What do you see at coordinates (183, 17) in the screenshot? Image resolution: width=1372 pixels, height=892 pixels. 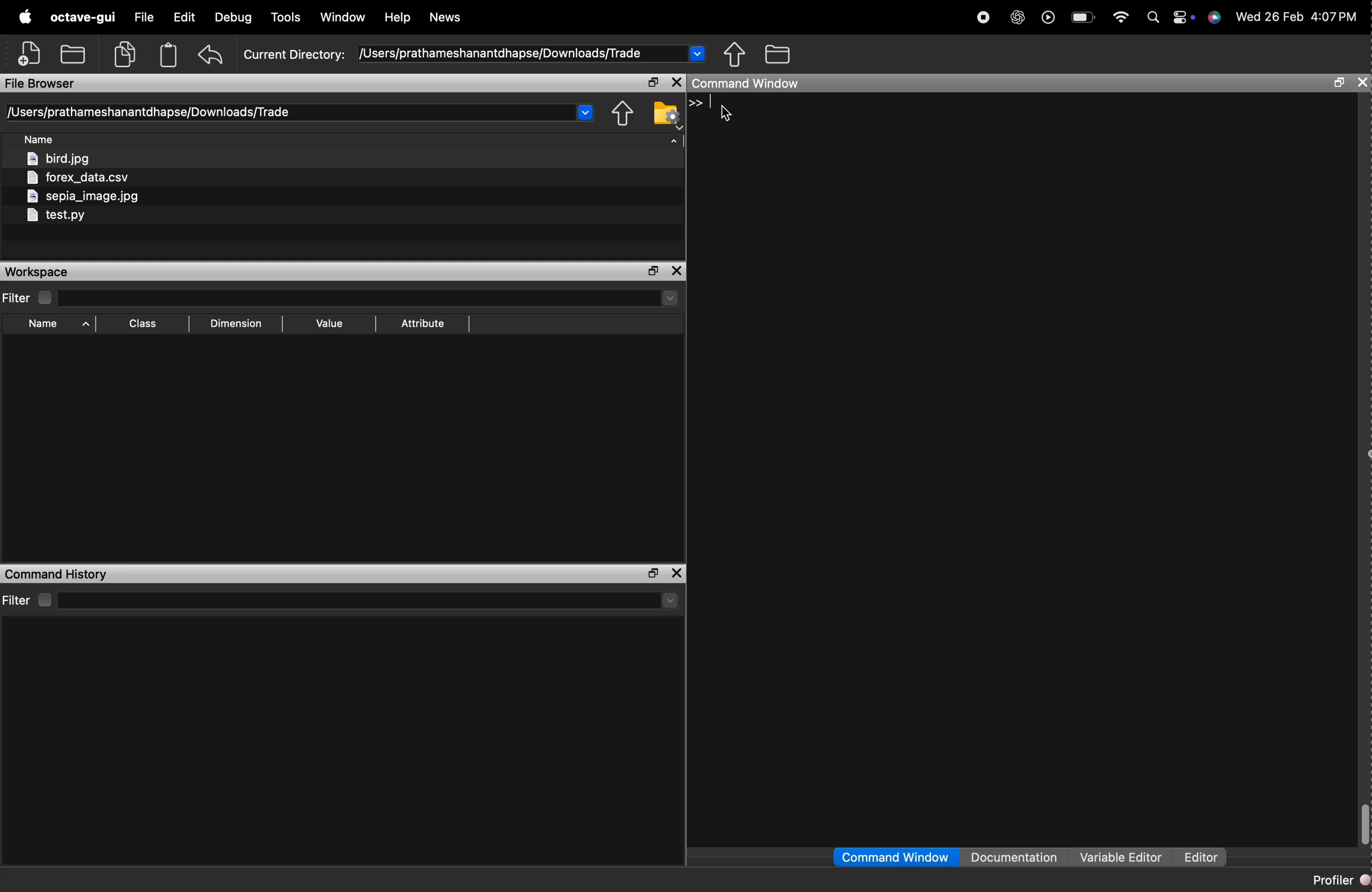 I see `Edit` at bounding box center [183, 17].